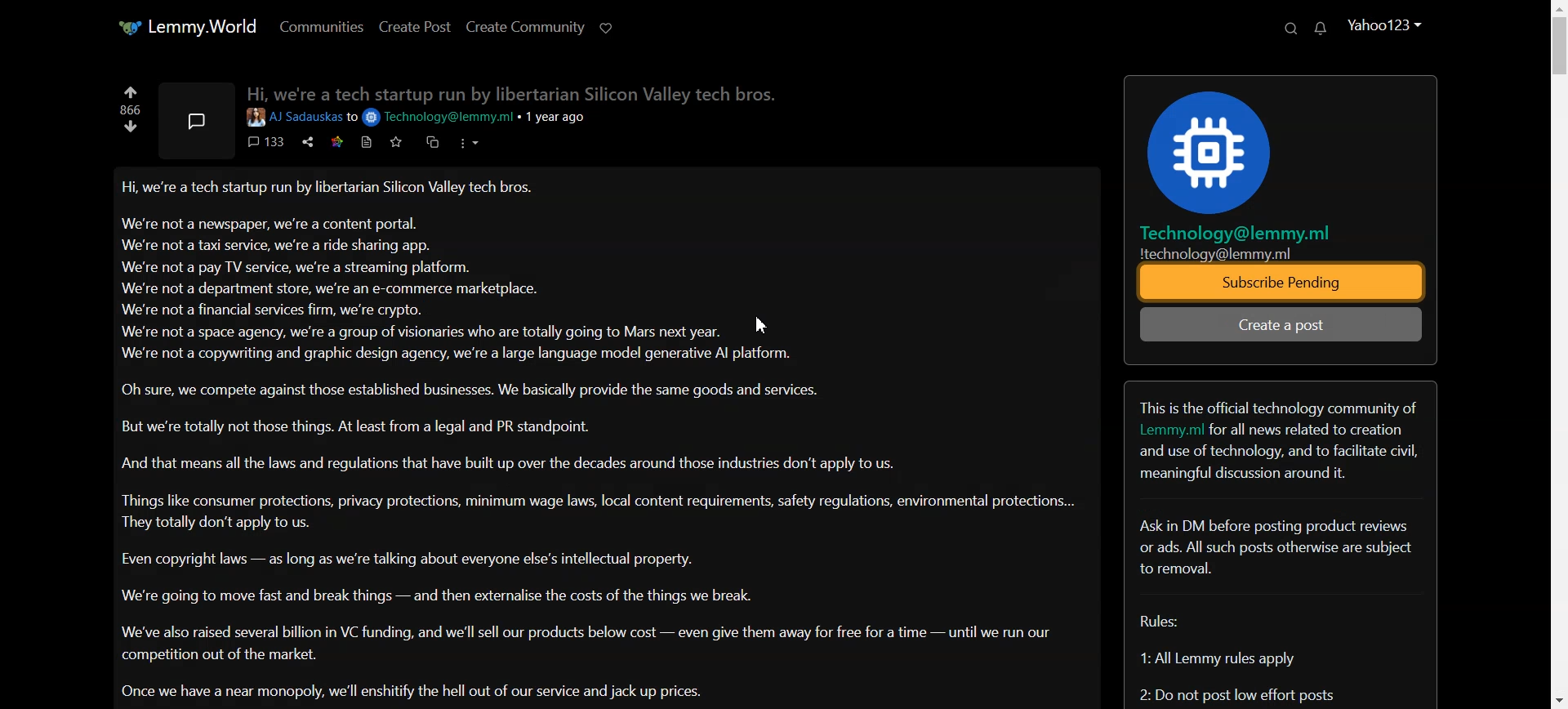  Describe the element at coordinates (1389, 26) in the screenshot. I see `Account` at that location.